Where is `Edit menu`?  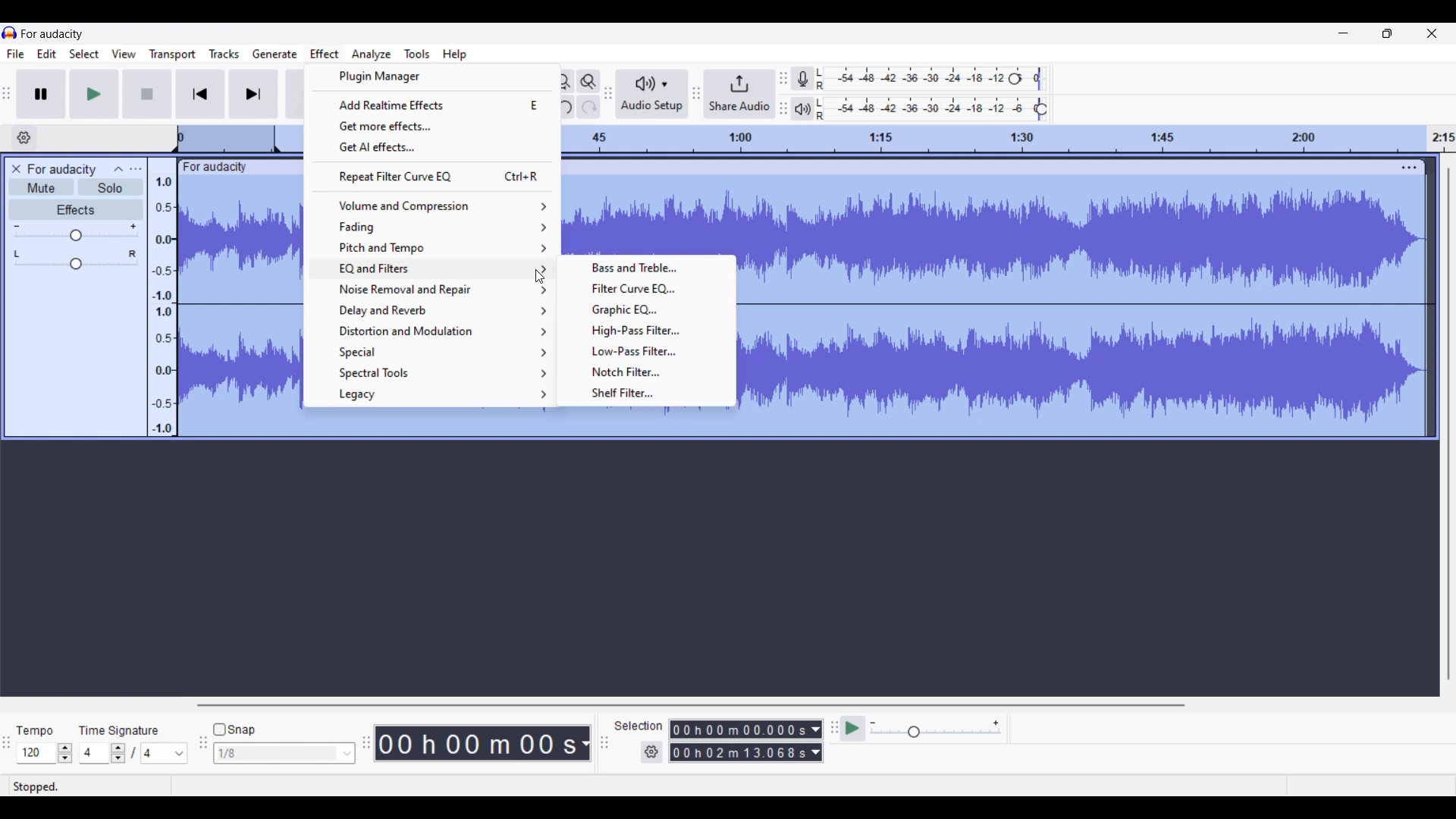 Edit menu is located at coordinates (47, 55).